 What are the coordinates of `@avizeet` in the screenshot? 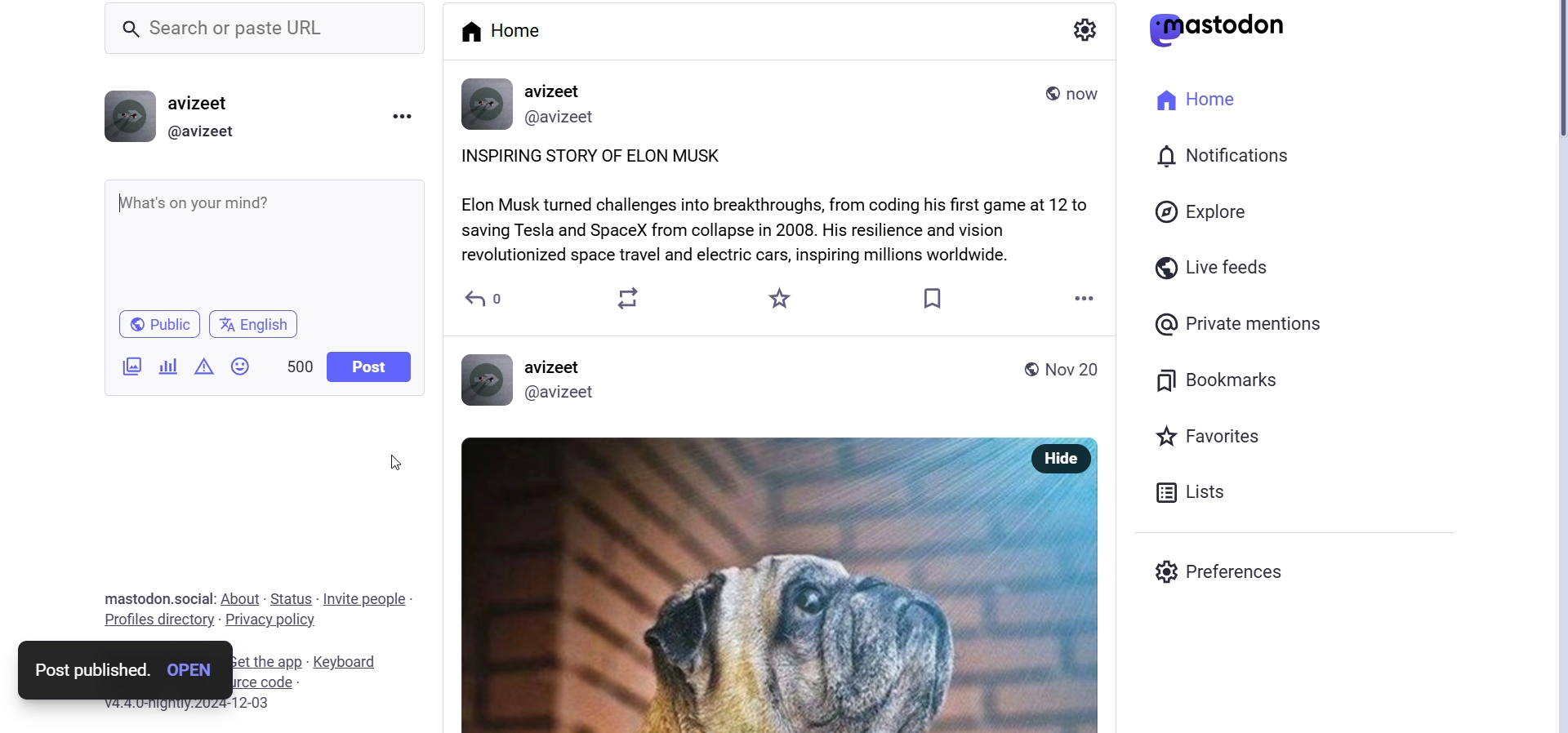 It's located at (560, 392).